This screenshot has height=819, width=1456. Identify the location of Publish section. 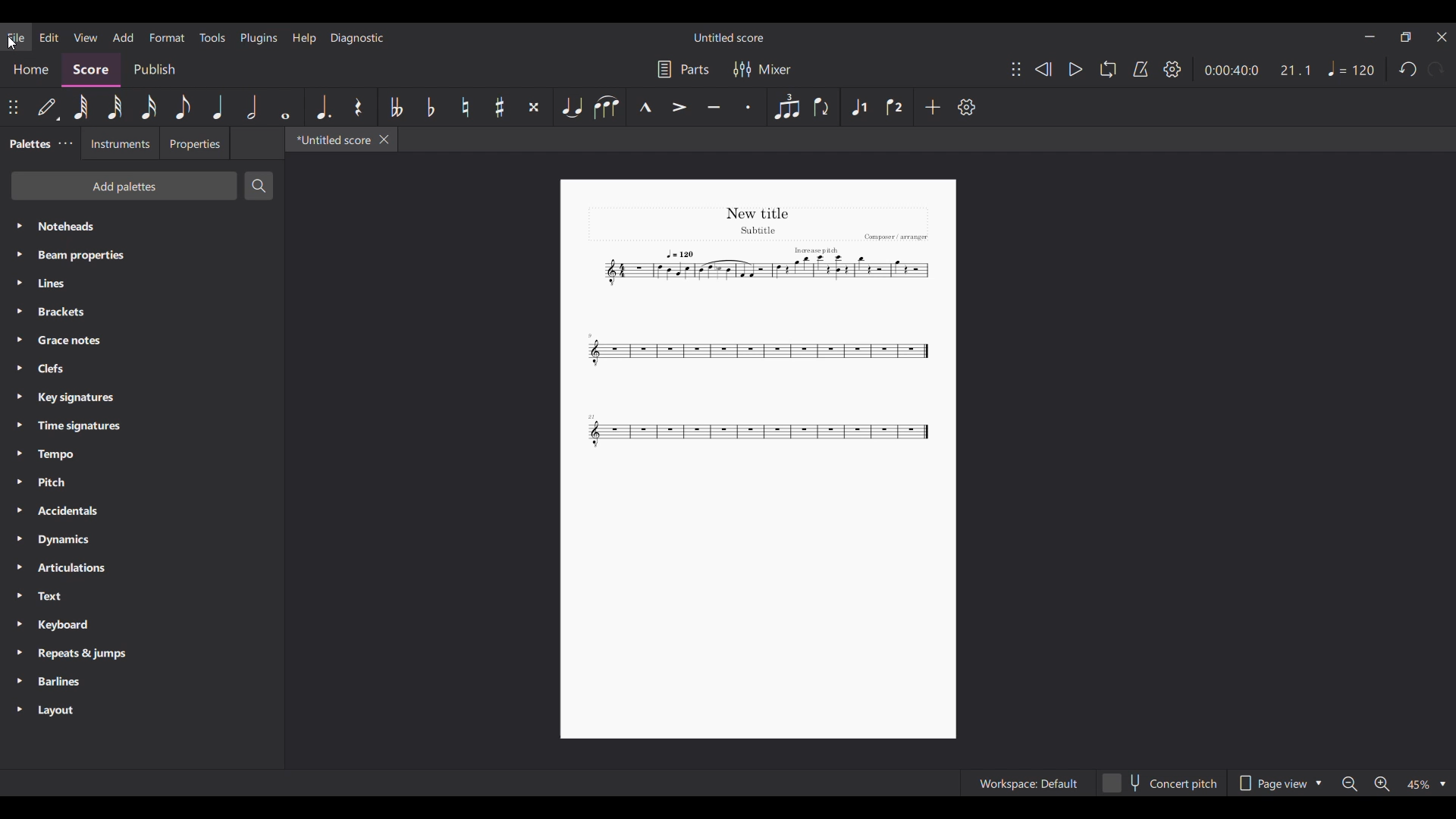
(154, 71).